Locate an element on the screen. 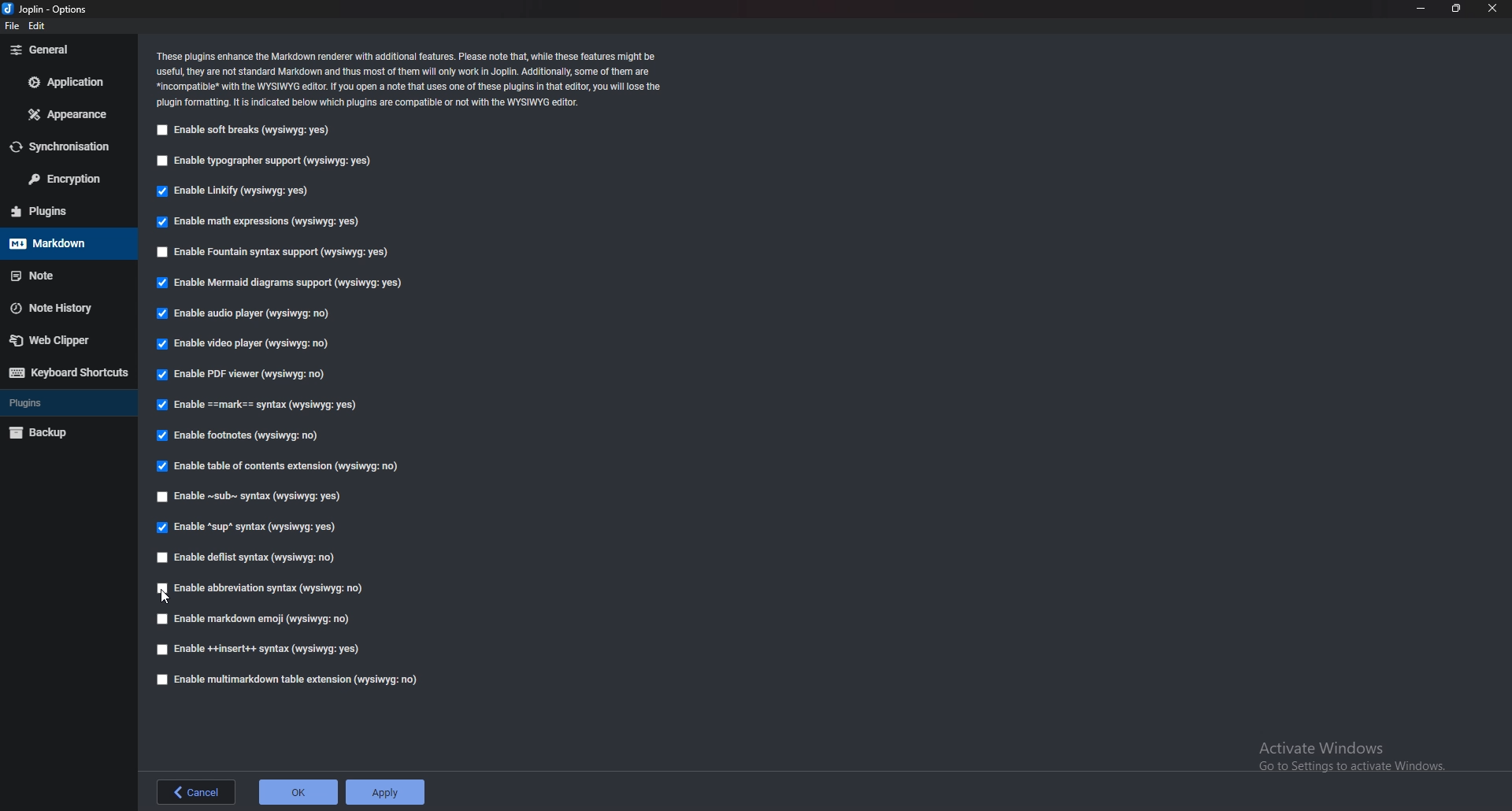 This screenshot has width=1512, height=811. Enable abbreviation syntax (wysiwyg: no) is located at coordinates (258, 589).